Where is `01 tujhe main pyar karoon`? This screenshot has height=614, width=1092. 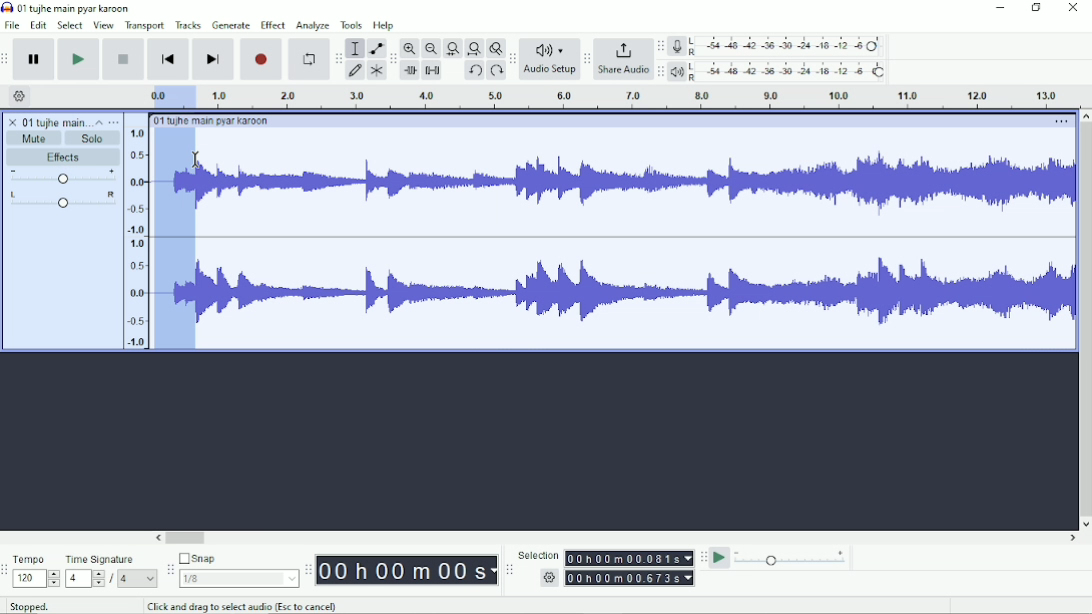 01 tujhe main pyar karoon is located at coordinates (78, 8).